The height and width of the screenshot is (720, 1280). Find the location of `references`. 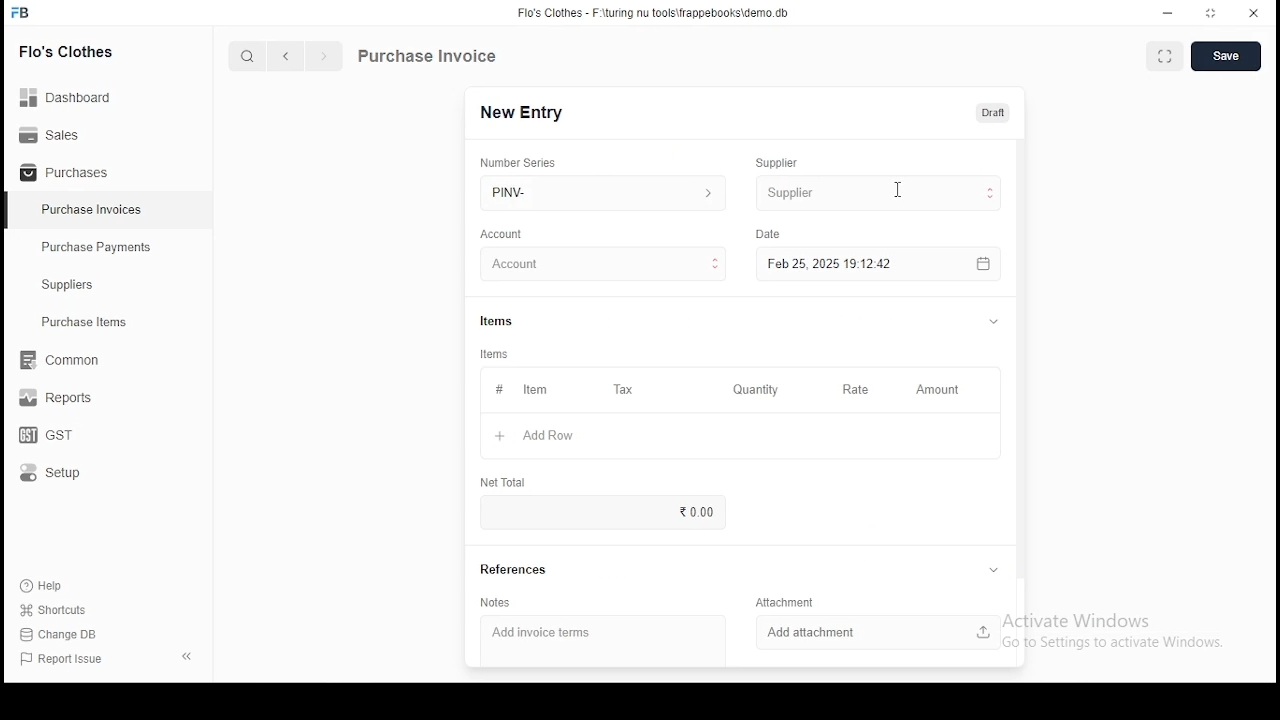

references is located at coordinates (515, 570).